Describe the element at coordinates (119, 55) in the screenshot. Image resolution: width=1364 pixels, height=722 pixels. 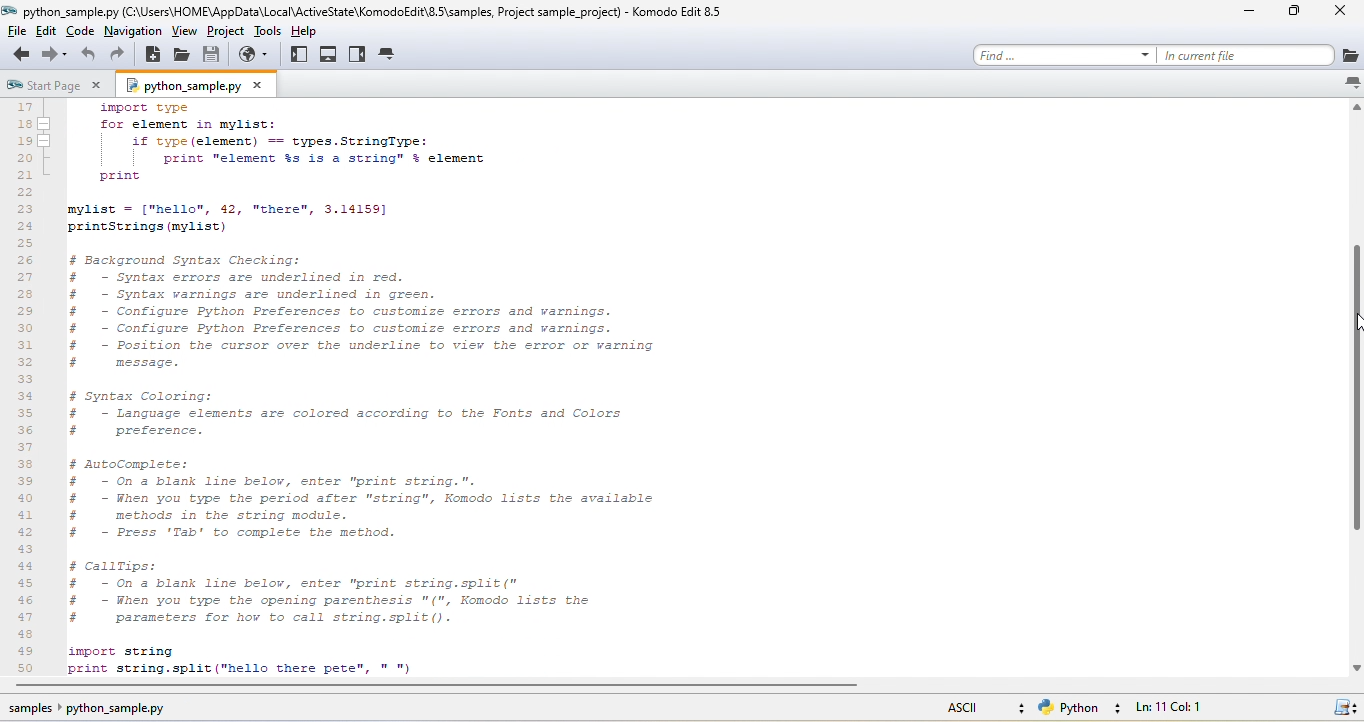
I see `redo` at that location.